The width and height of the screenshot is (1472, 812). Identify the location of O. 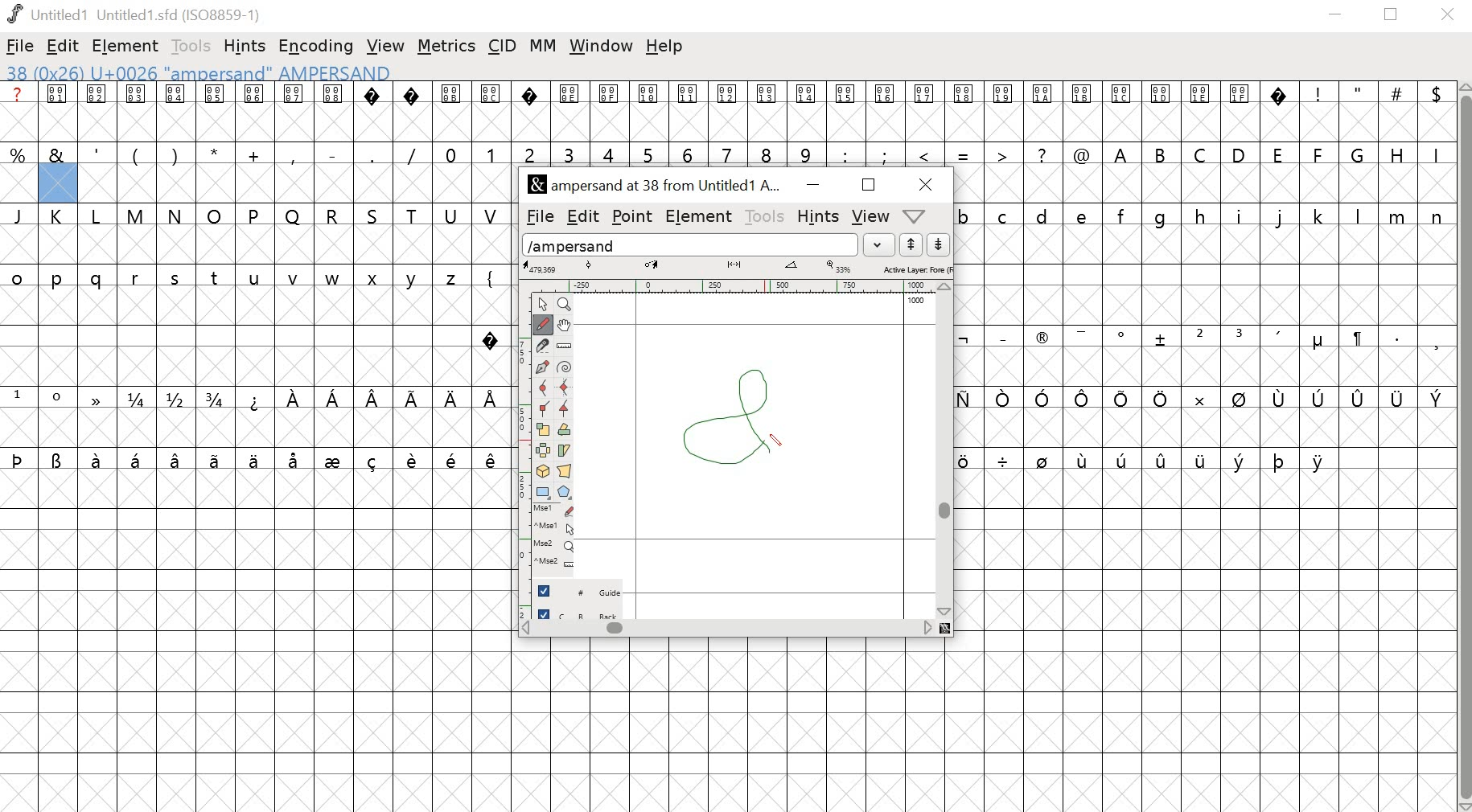
(215, 215).